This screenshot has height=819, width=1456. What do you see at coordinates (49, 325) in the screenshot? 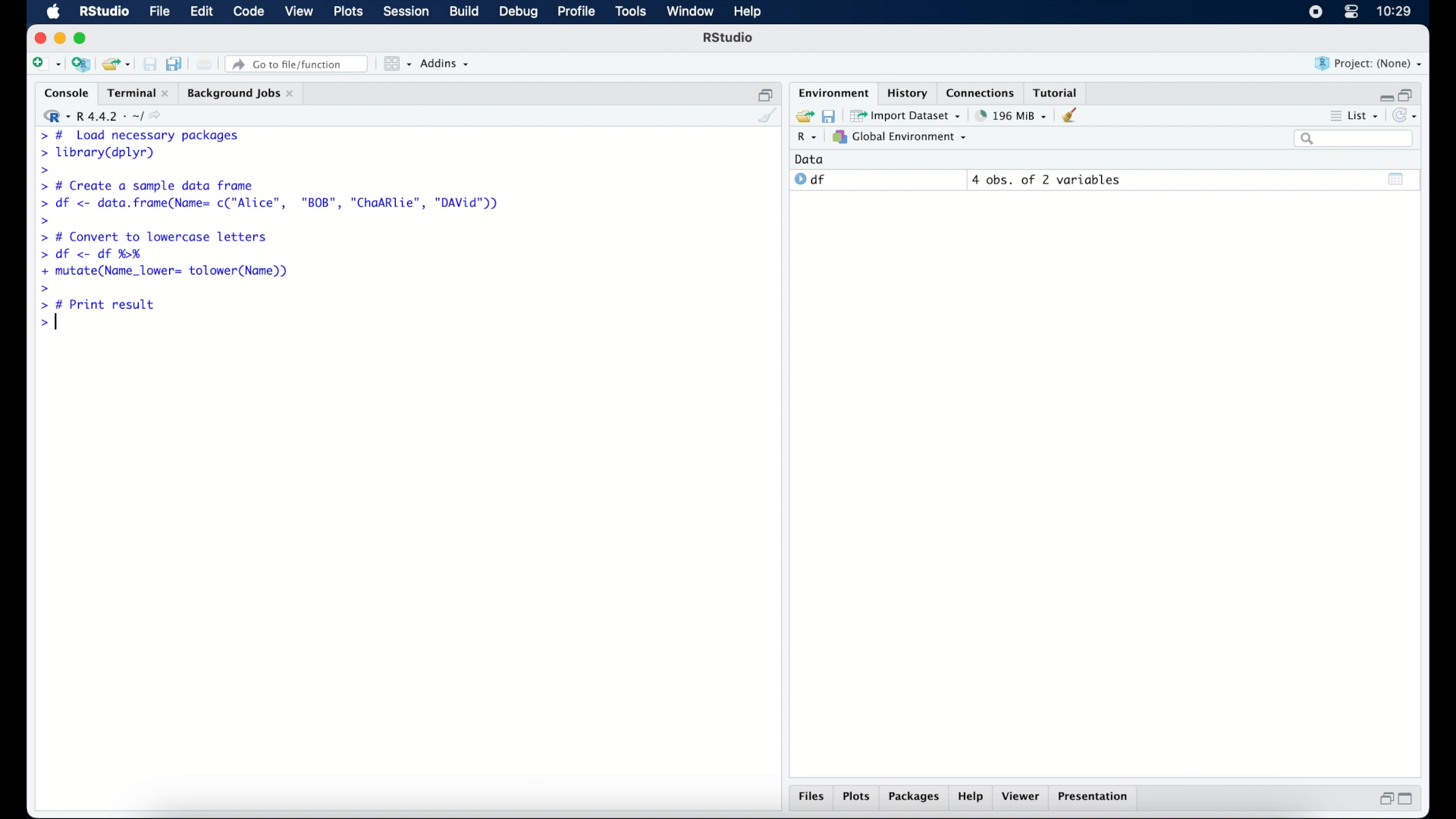
I see `command prompt` at bounding box center [49, 325].